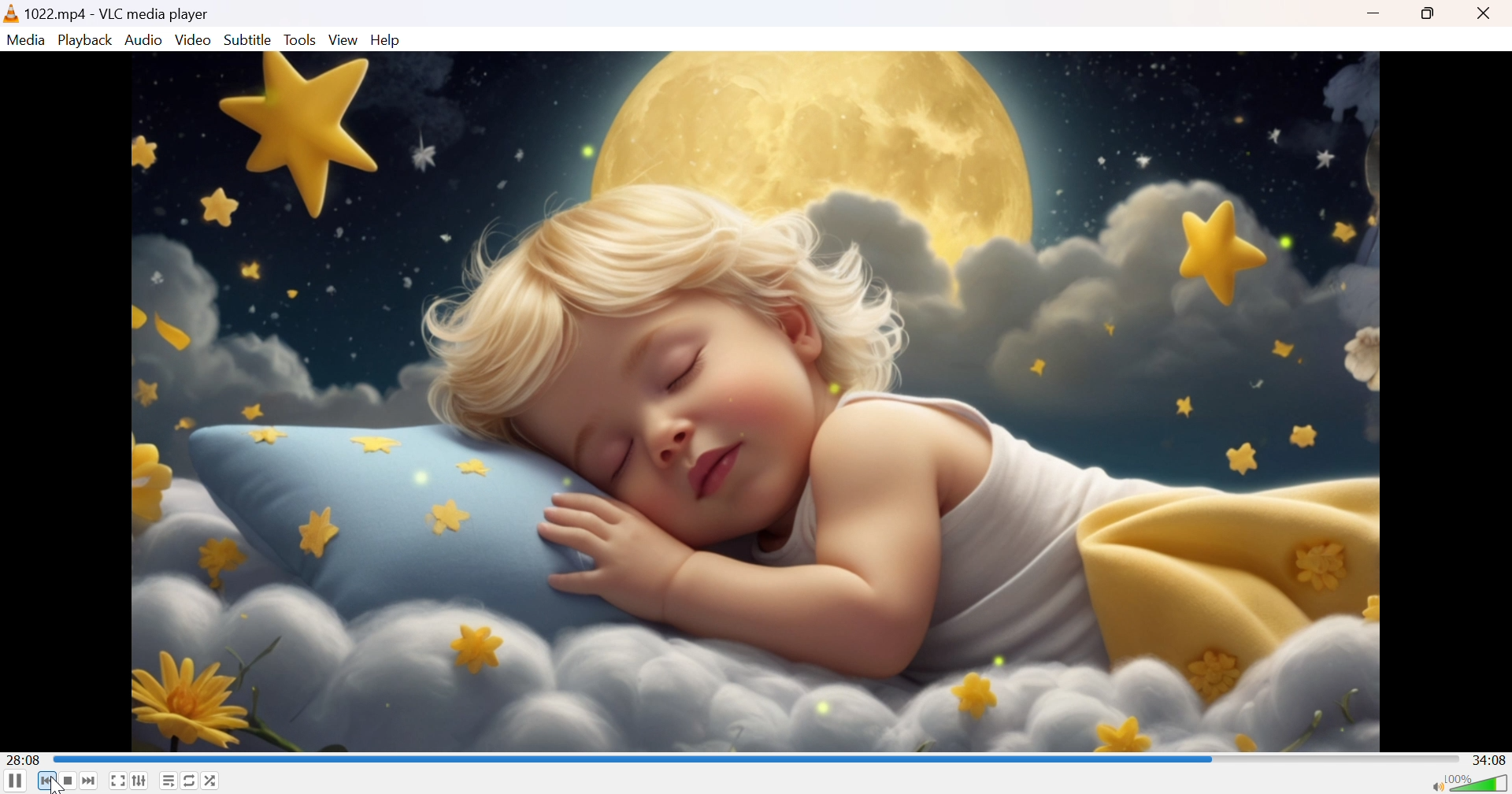 Image resolution: width=1512 pixels, height=794 pixels. What do you see at coordinates (302, 39) in the screenshot?
I see `Tools` at bounding box center [302, 39].